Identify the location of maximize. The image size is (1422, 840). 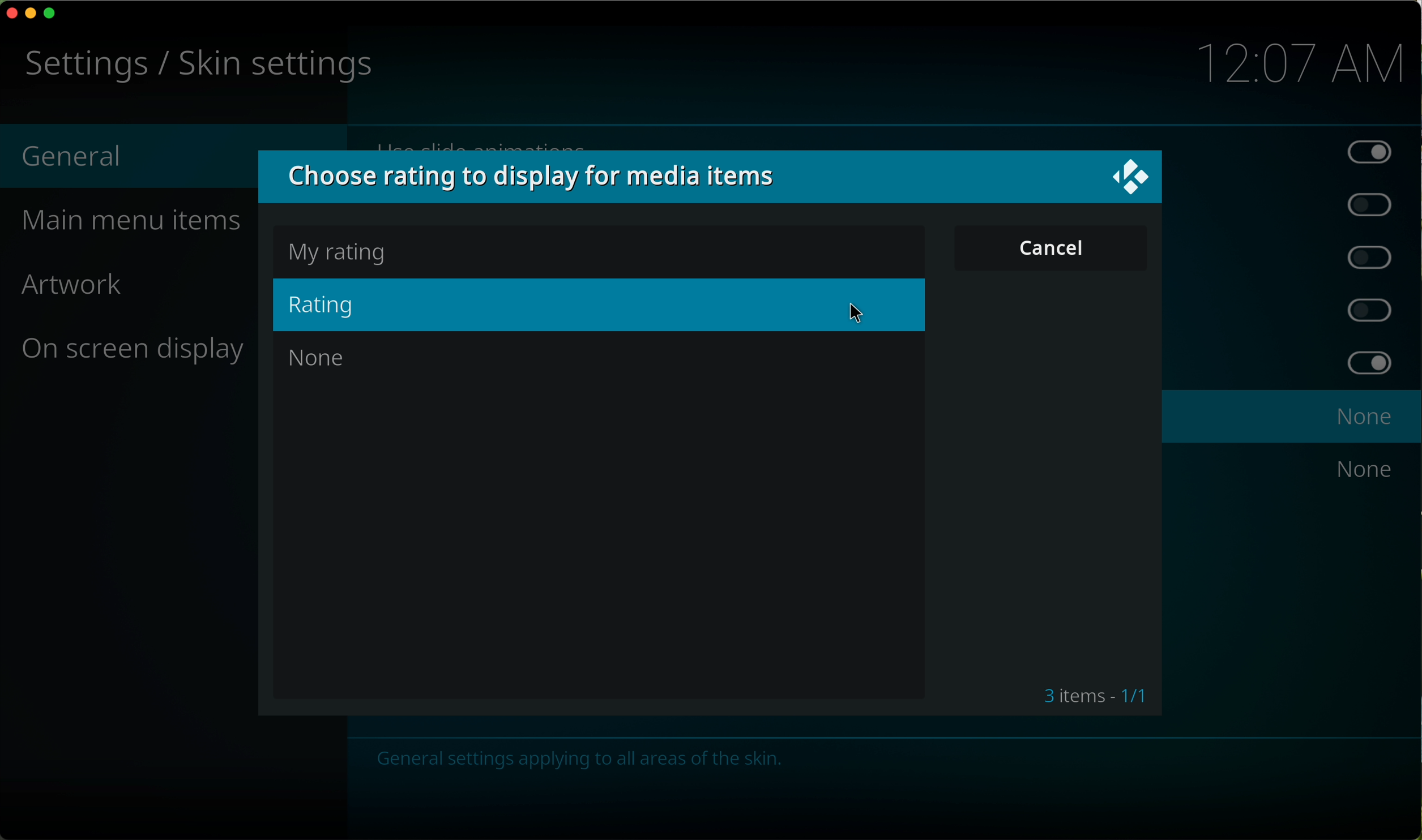
(53, 13).